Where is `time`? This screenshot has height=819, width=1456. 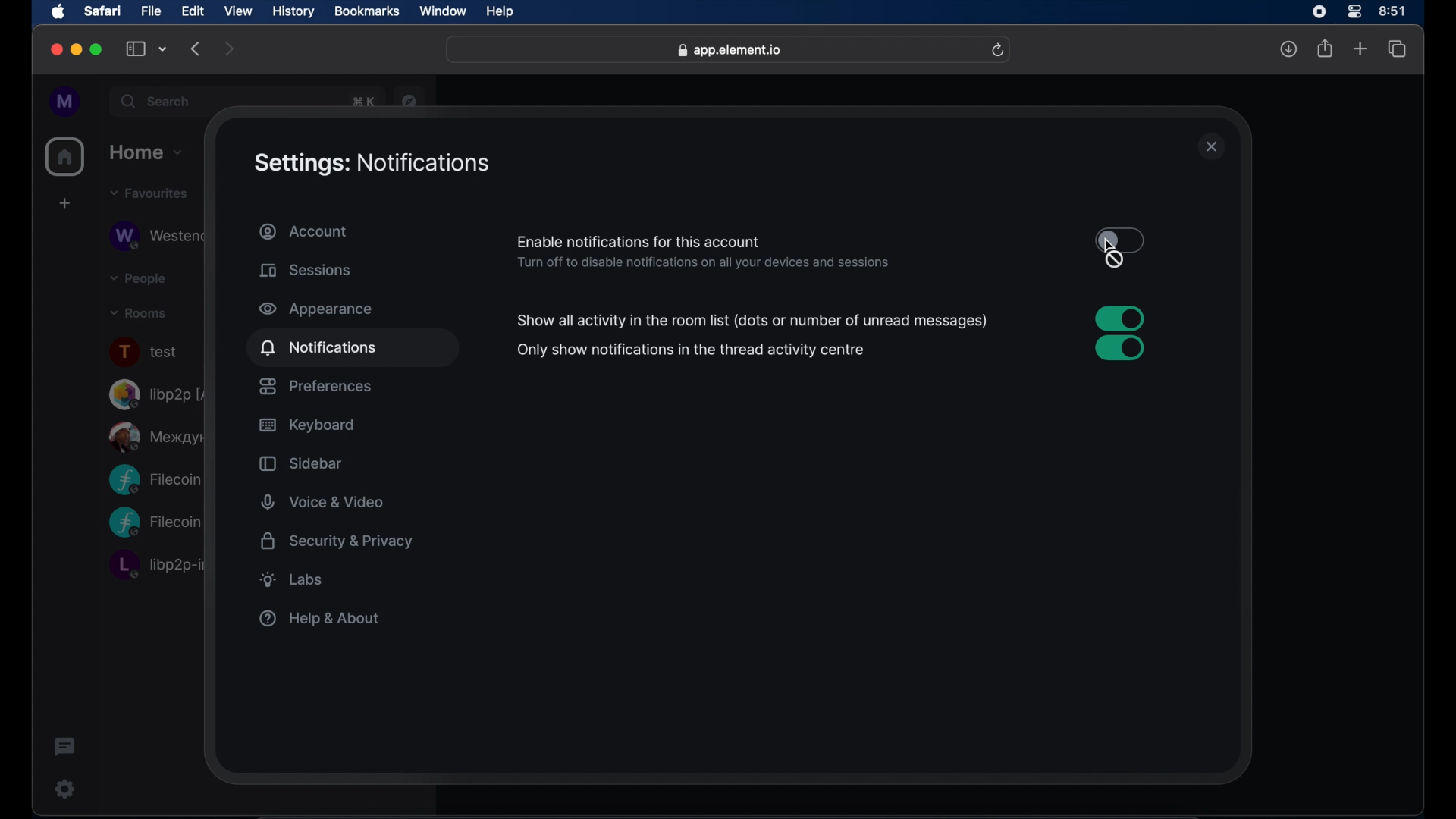
time is located at coordinates (1393, 11).